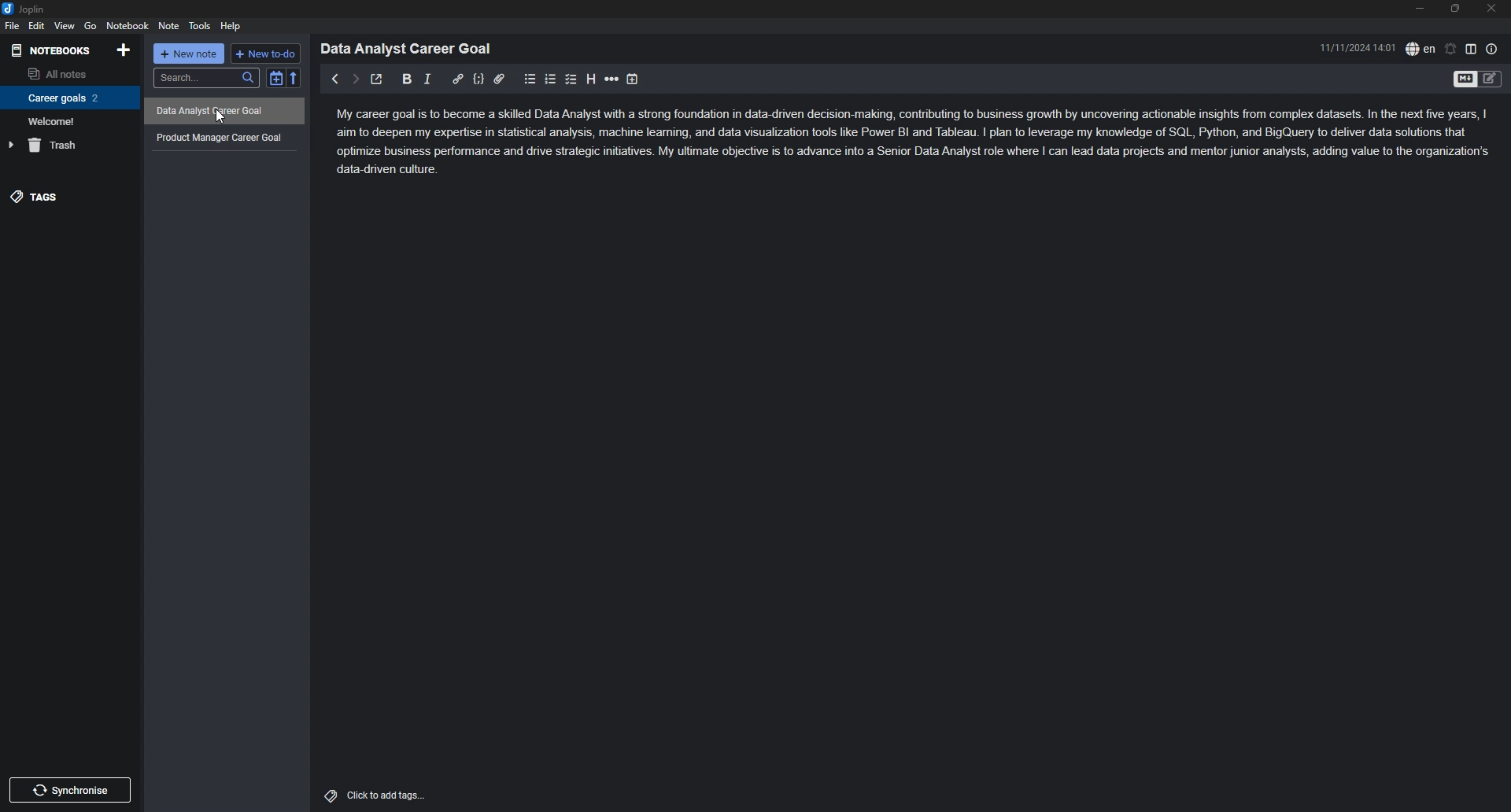  I want to click on attachment, so click(499, 79).